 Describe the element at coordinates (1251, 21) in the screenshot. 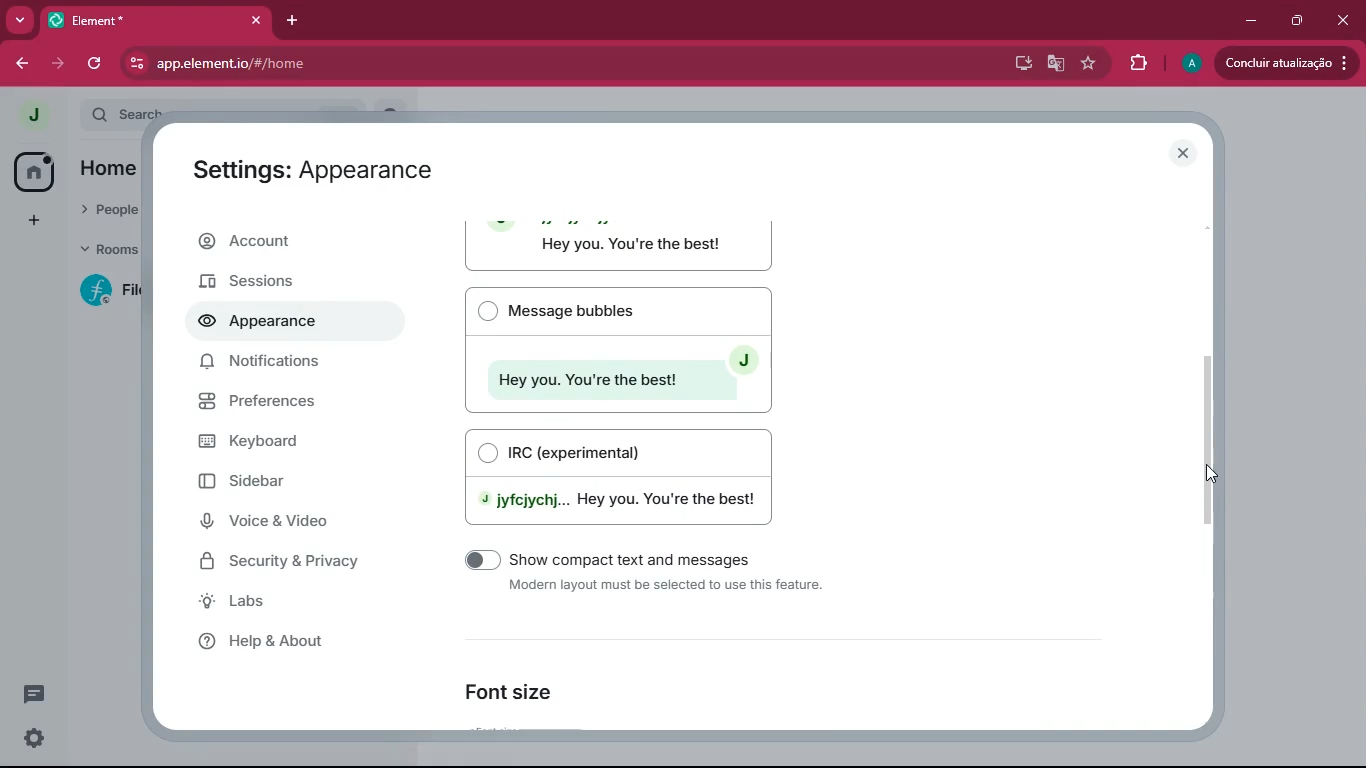

I see `minimize` at that location.